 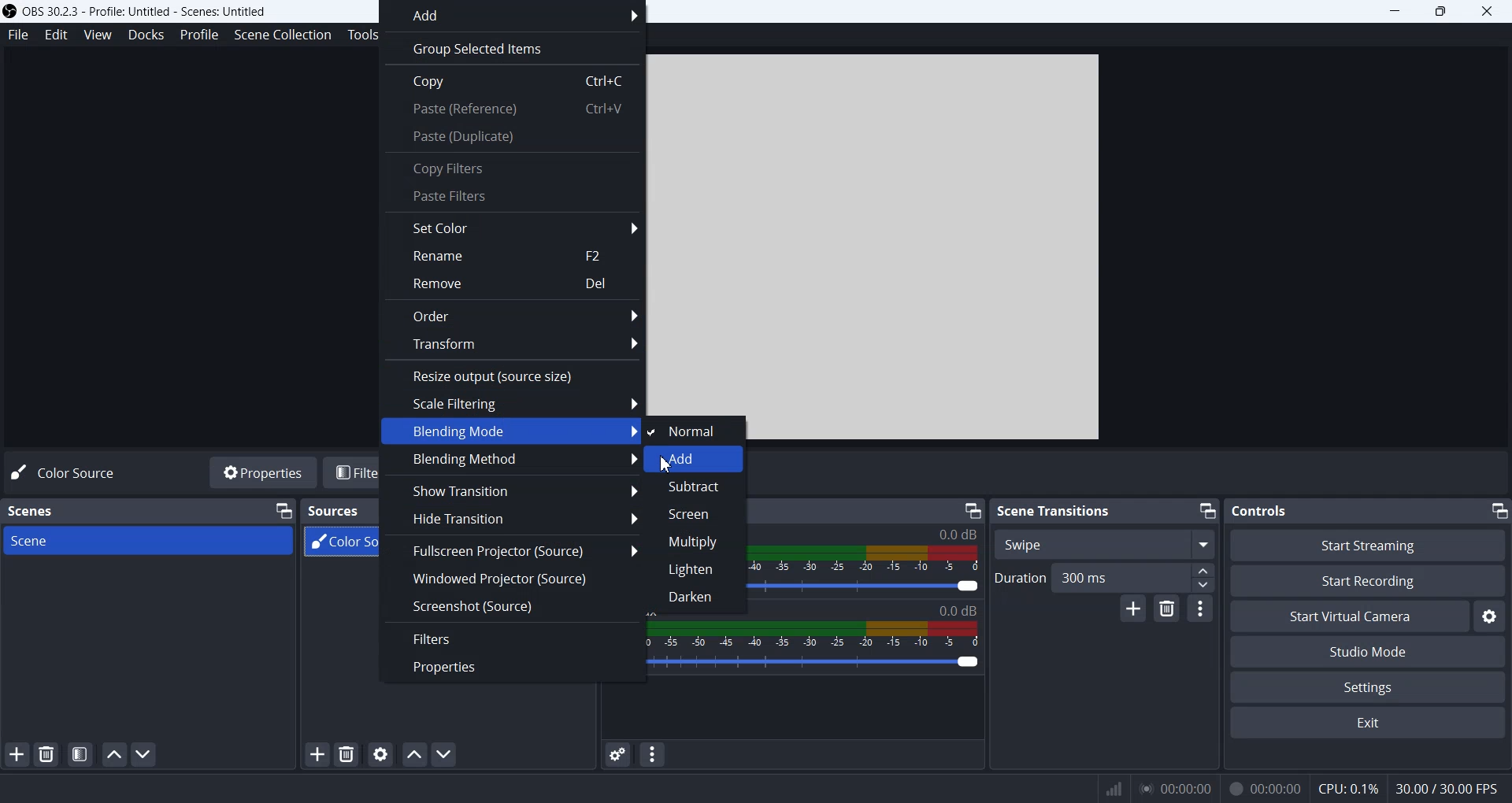 What do you see at coordinates (654, 754) in the screenshot?
I see `Audio mixer menu` at bounding box center [654, 754].